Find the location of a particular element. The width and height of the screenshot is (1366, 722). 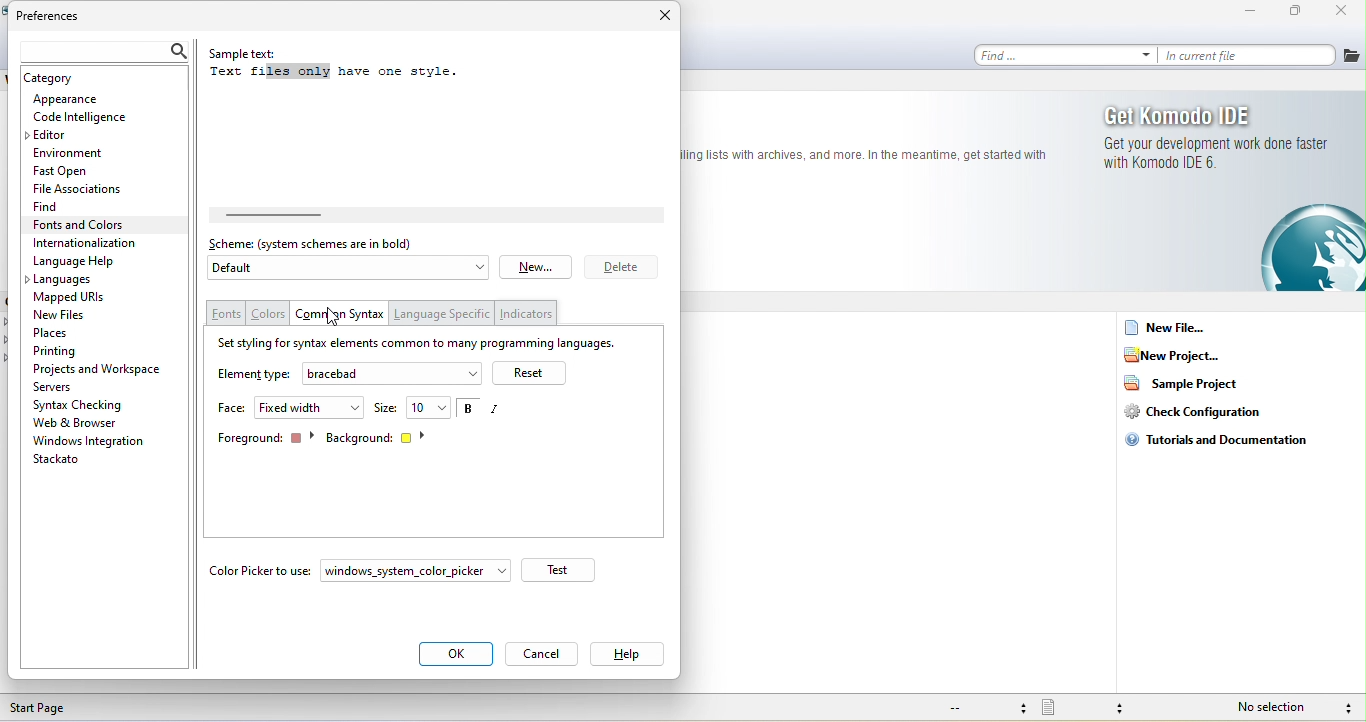

default is located at coordinates (349, 270).